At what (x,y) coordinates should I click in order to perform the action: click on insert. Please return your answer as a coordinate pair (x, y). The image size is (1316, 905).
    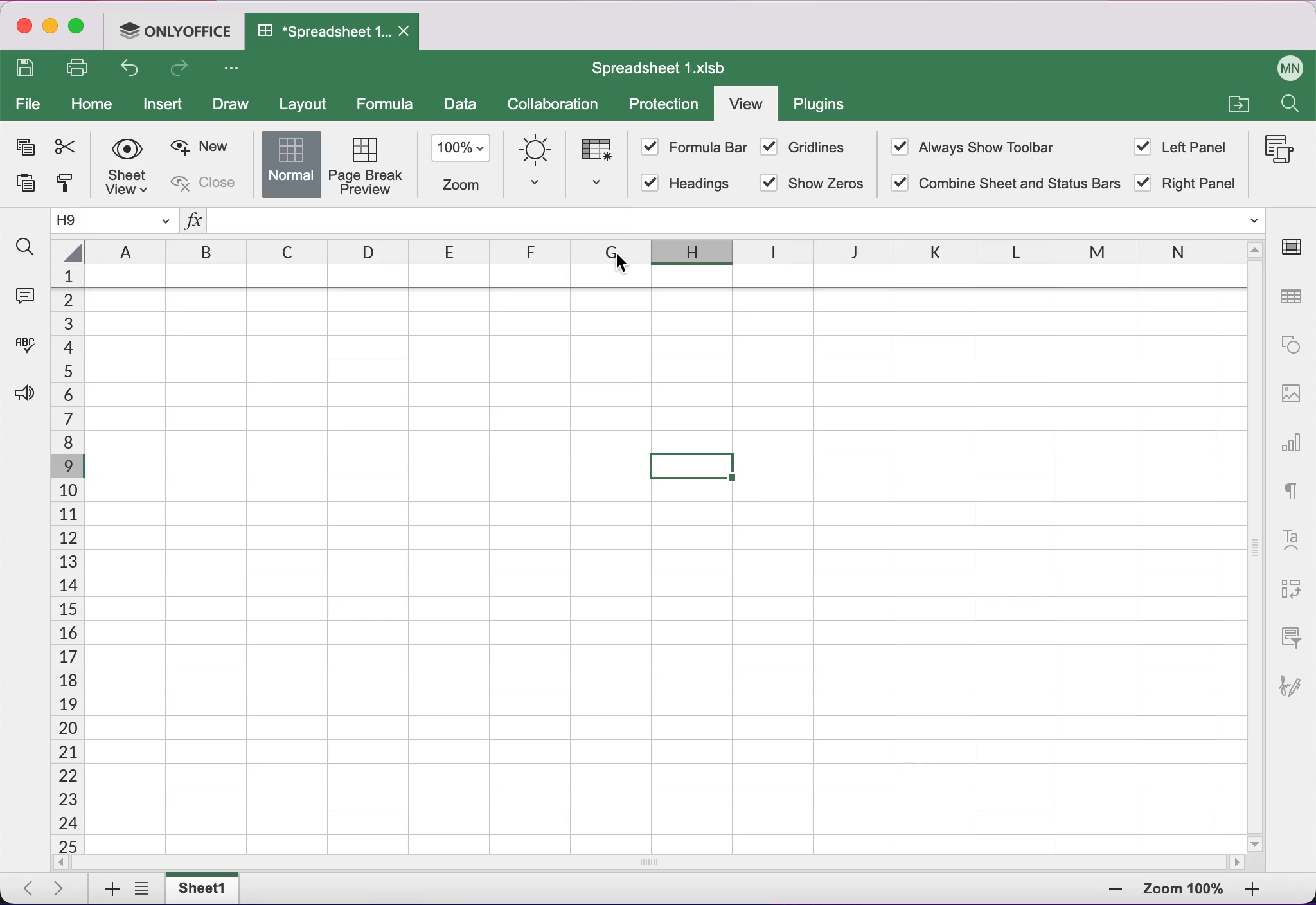
    Looking at the image, I should click on (164, 105).